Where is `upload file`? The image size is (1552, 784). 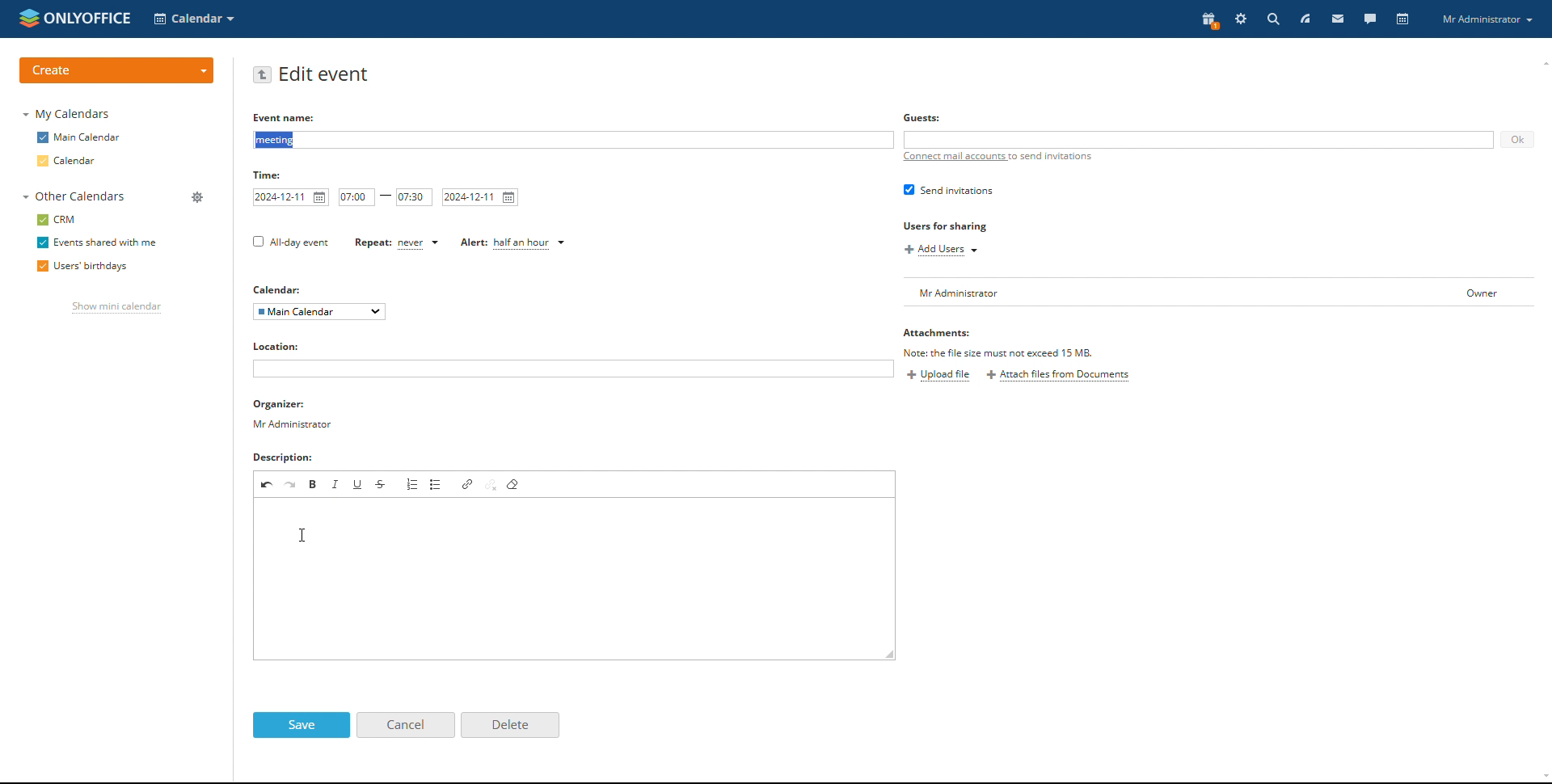 upload file is located at coordinates (938, 375).